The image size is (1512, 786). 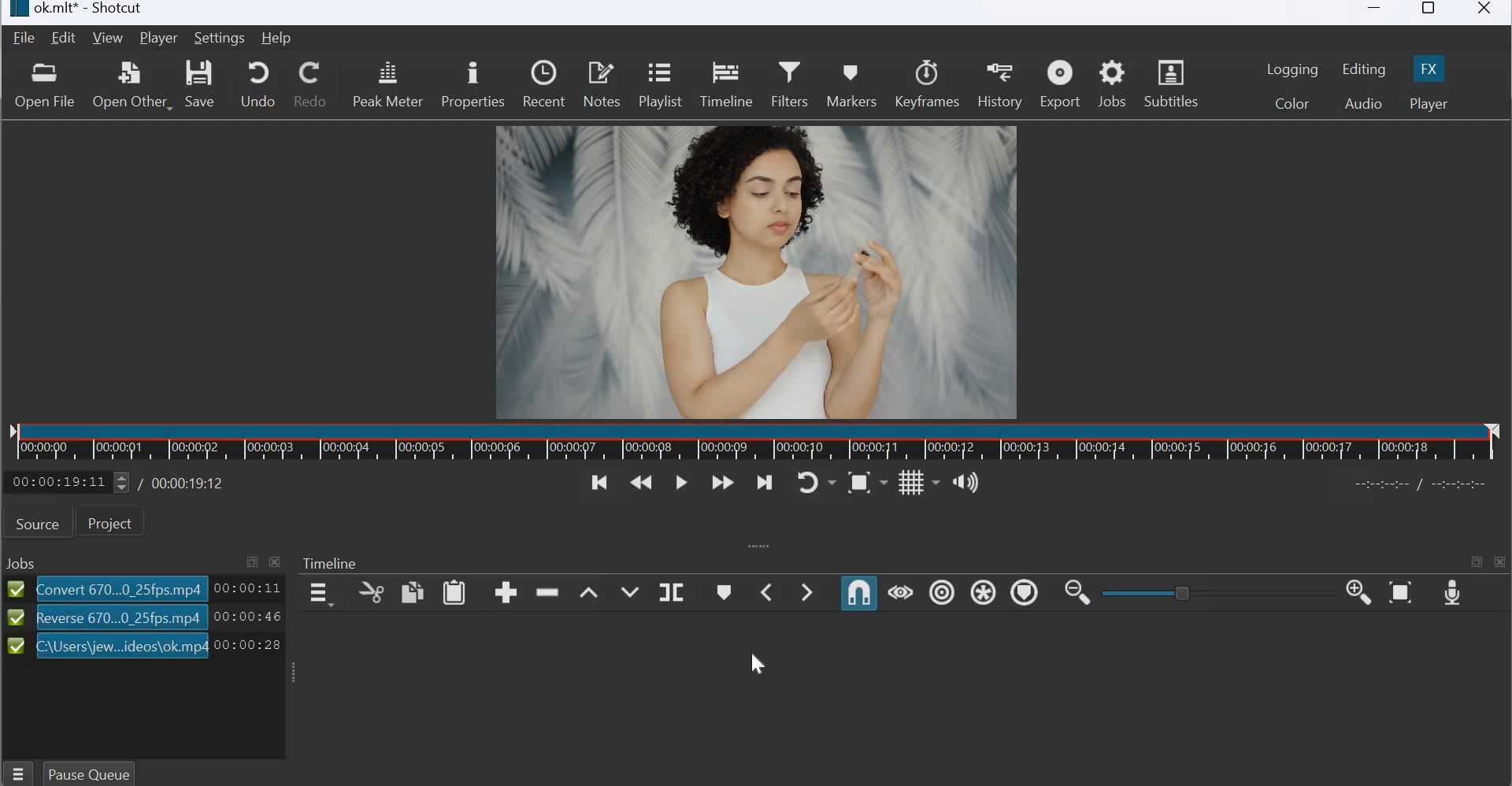 I want to click on Show the volume control, so click(x=965, y=483).